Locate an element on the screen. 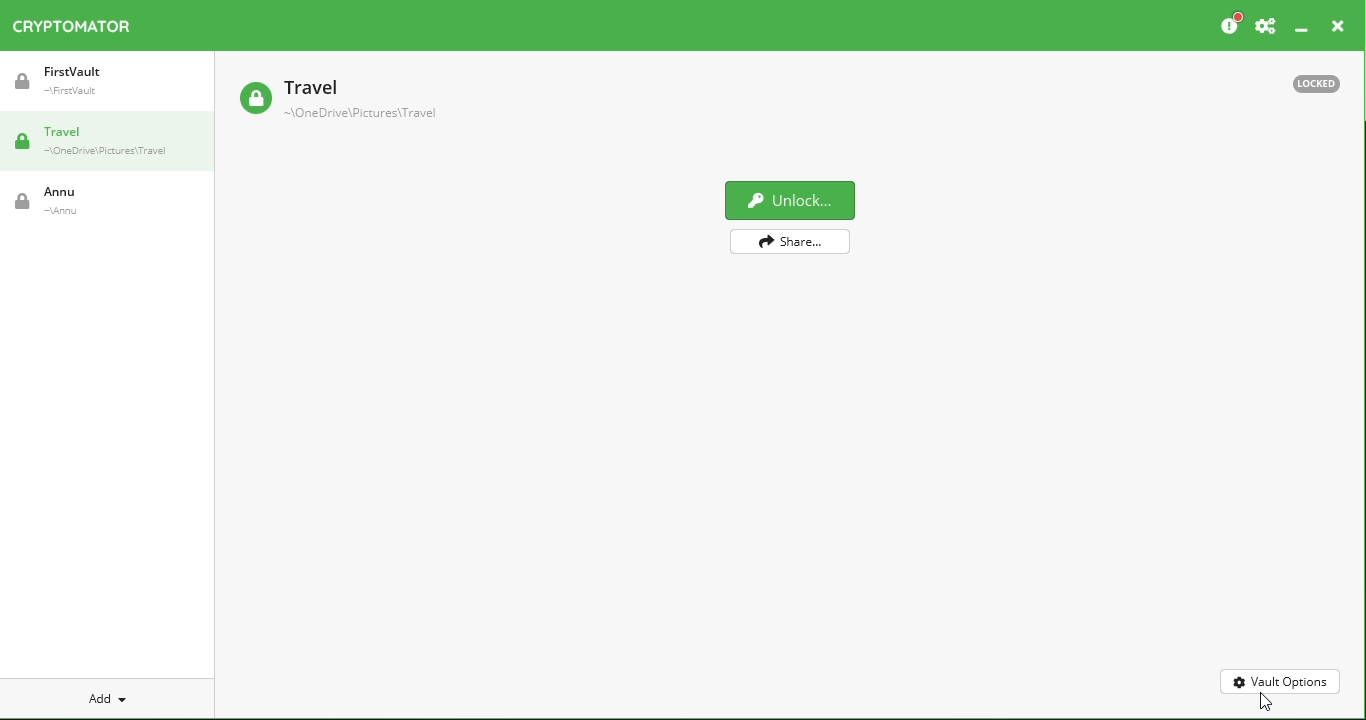 The width and height of the screenshot is (1366, 720). Travel Vault is located at coordinates (367, 100).